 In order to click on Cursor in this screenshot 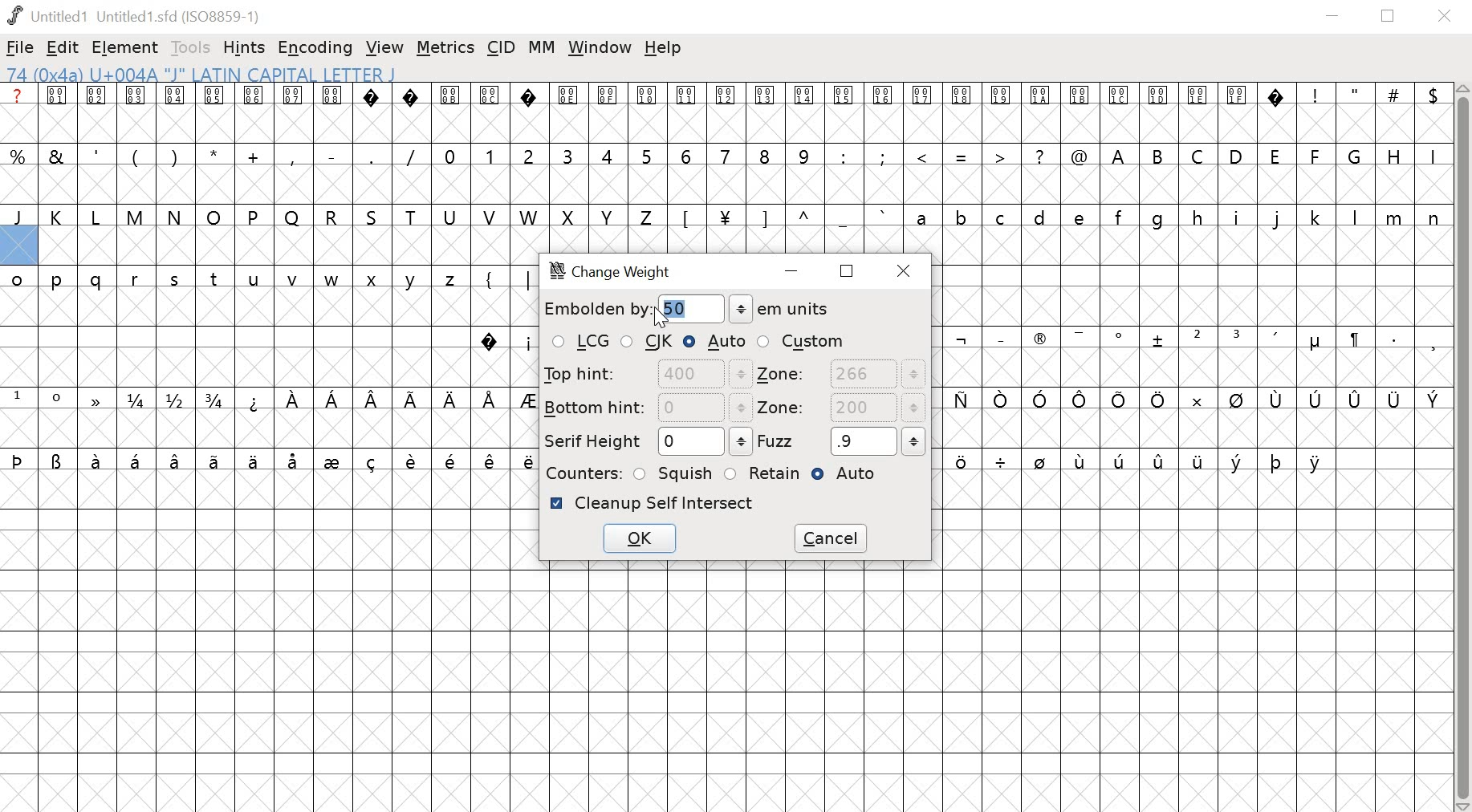, I will do `click(660, 317)`.